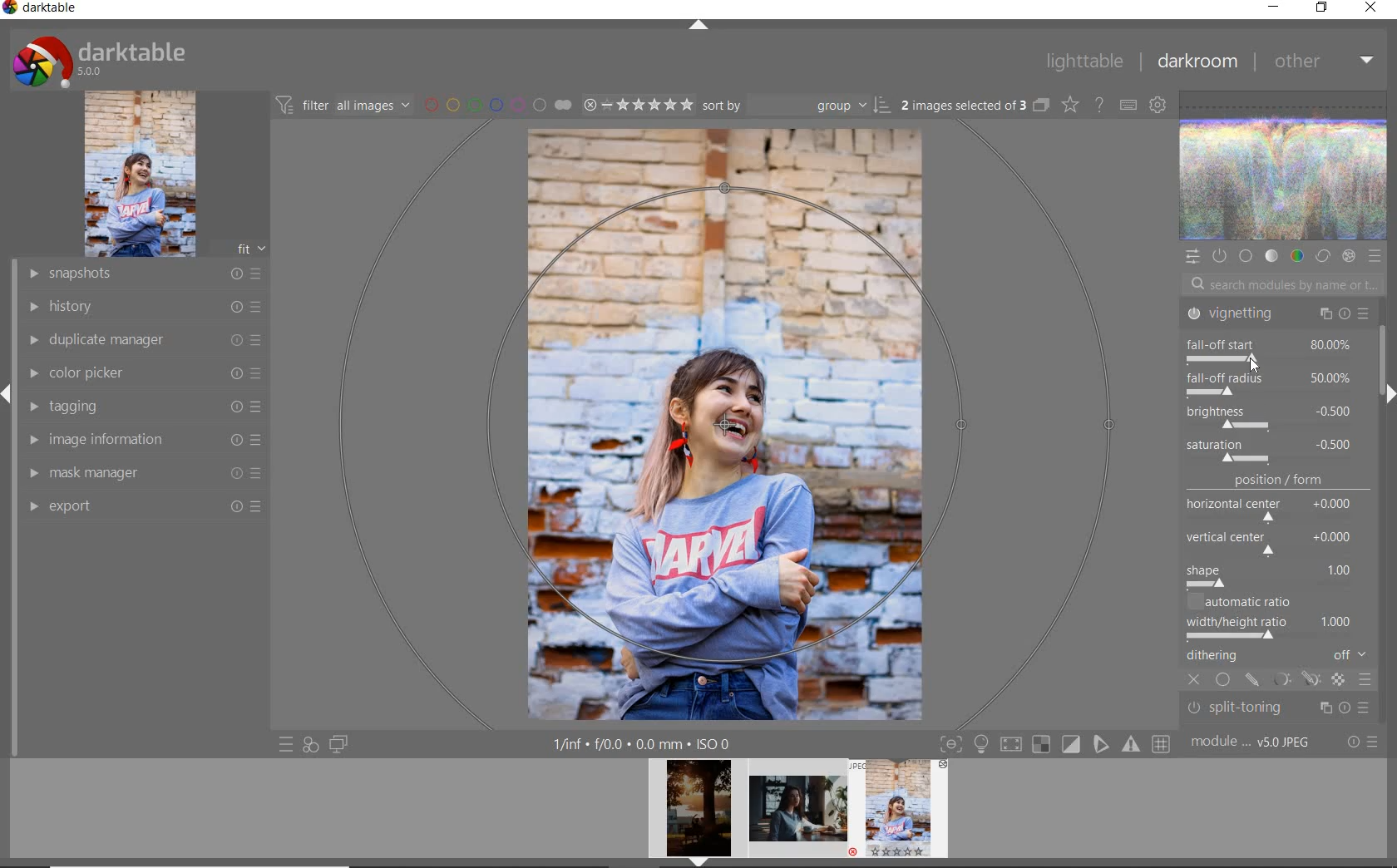  I want to click on color, so click(1296, 255).